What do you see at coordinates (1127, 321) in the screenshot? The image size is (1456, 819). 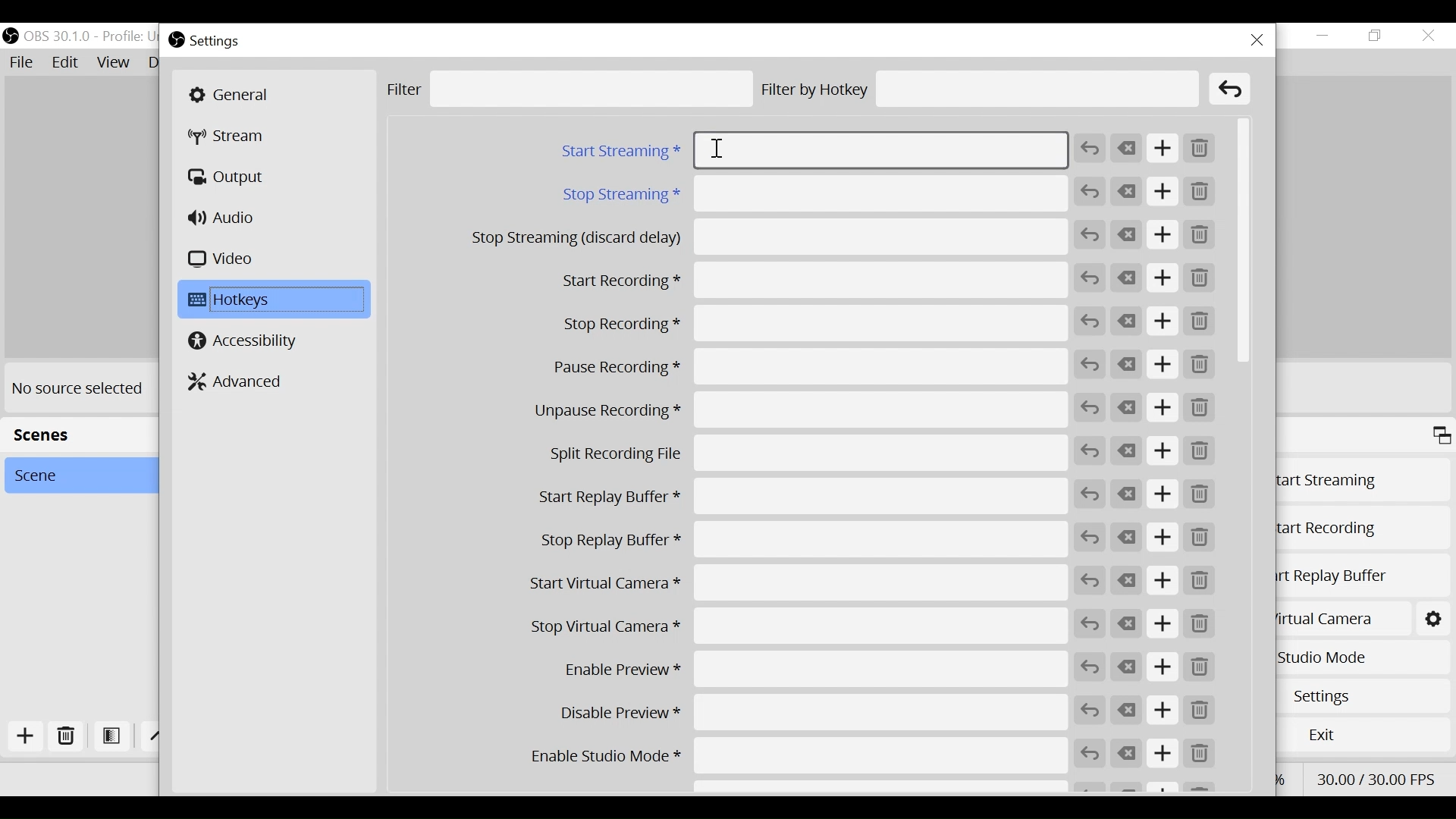 I see `Clear` at bounding box center [1127, 321].